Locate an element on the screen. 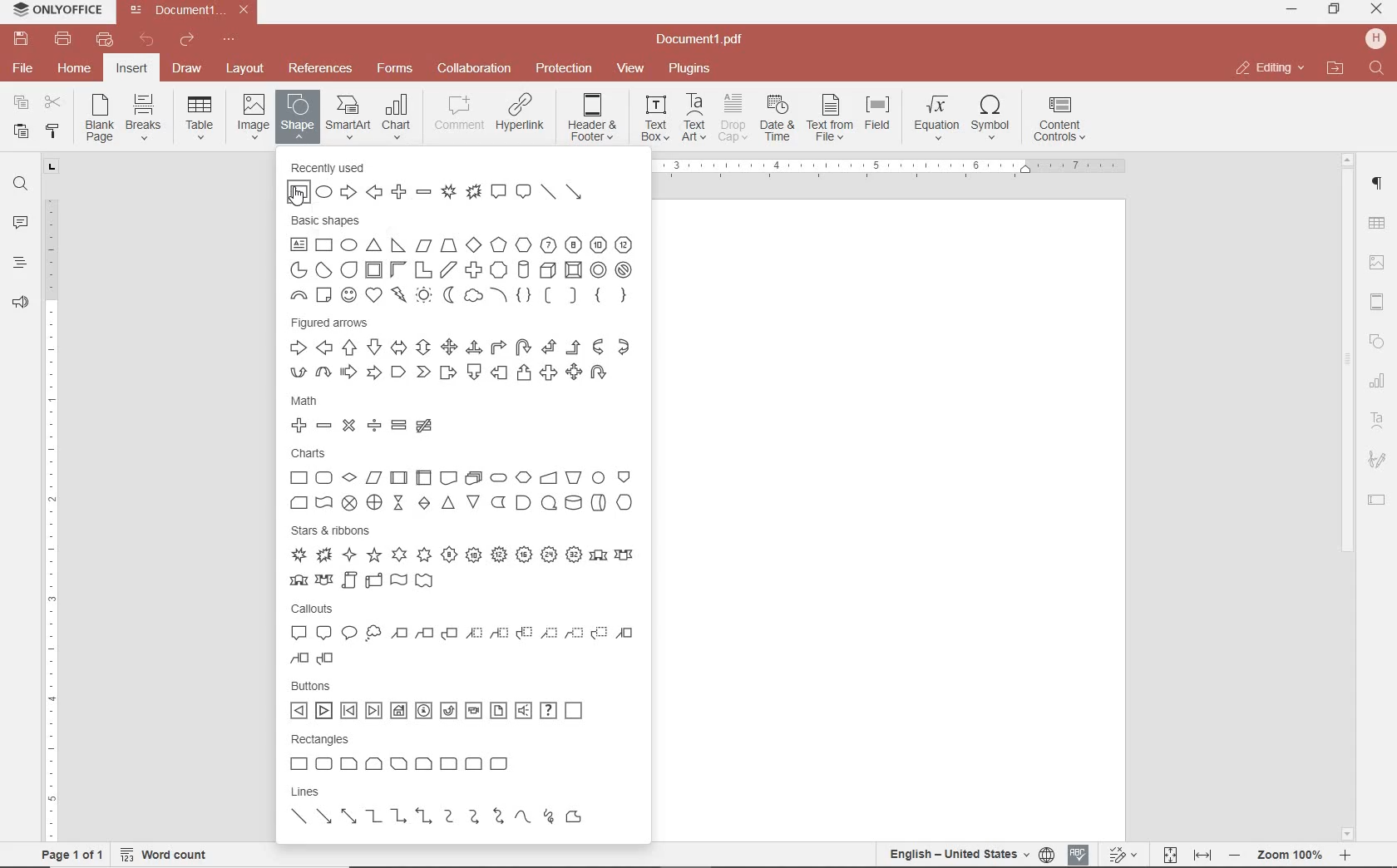 The height and width of the screenshot is (868, 1397). copy style is located at coordinates (51, 130).